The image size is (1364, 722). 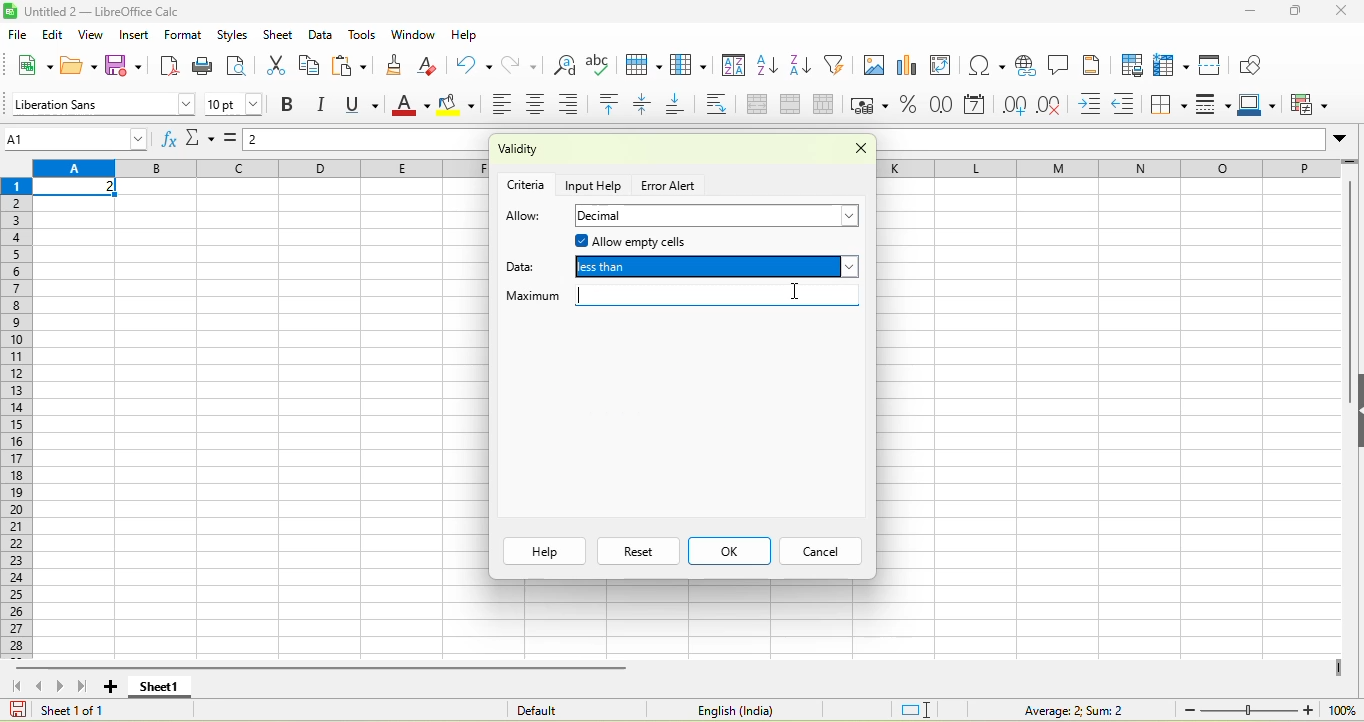 What do you see at coordinates (1059, 65) in the screenshot?
I see `comment` at bounding box center [1059, 65].